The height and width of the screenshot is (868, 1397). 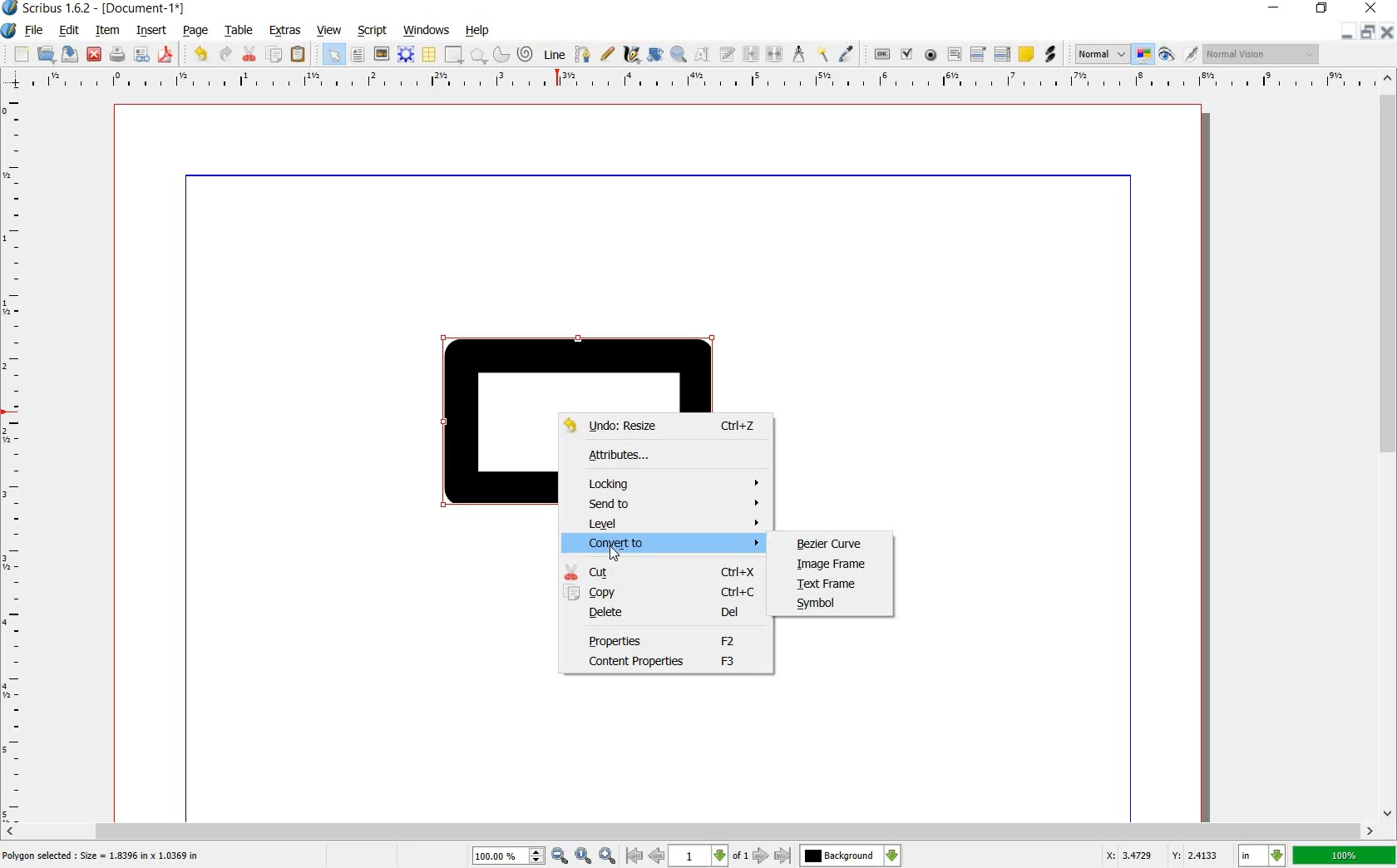 What do you see at coordinates (21, 54) in the screenshot?
I see `new` at bounding box center [21, 54].